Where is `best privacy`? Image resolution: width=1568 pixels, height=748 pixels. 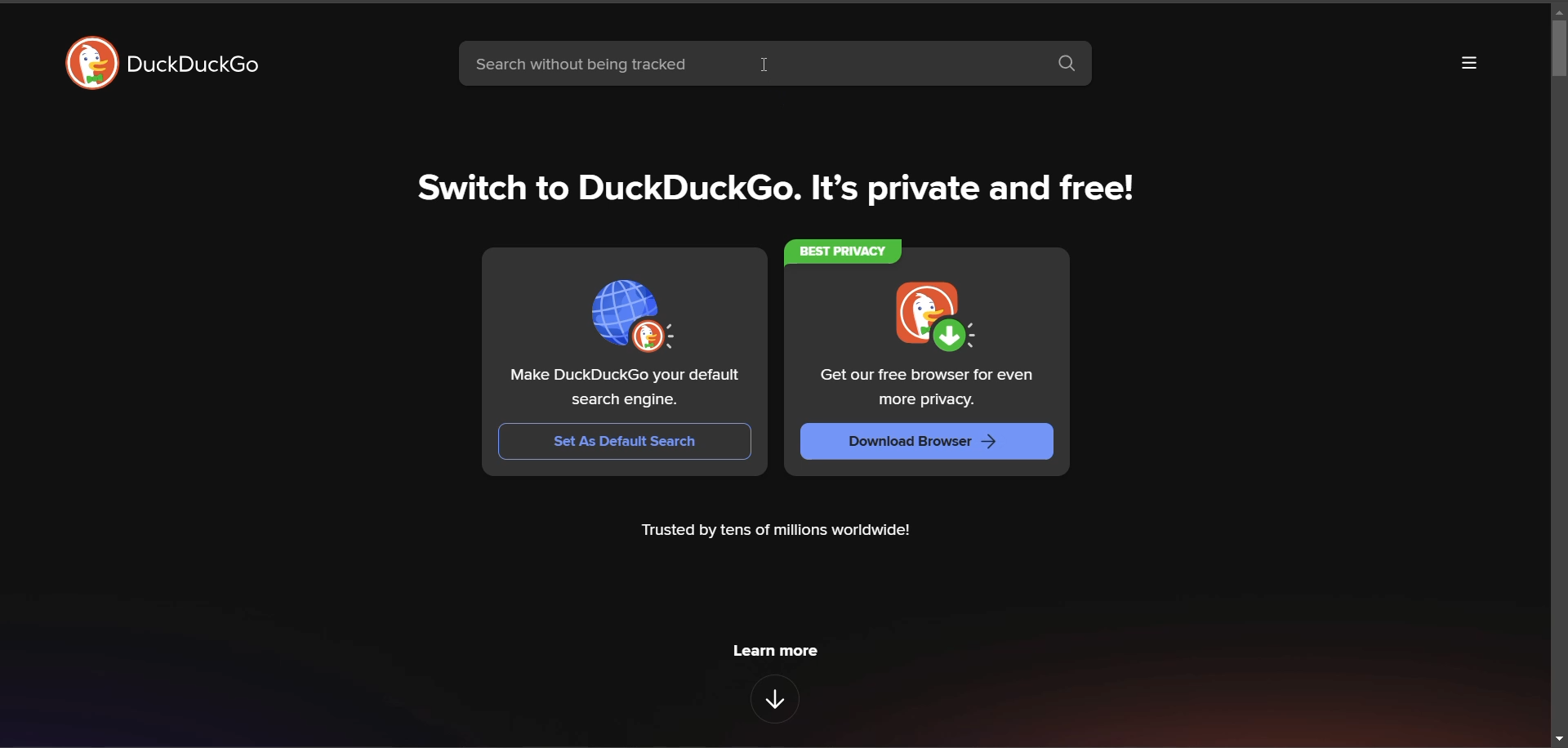 best privacy is located at coordinates (846, 252).